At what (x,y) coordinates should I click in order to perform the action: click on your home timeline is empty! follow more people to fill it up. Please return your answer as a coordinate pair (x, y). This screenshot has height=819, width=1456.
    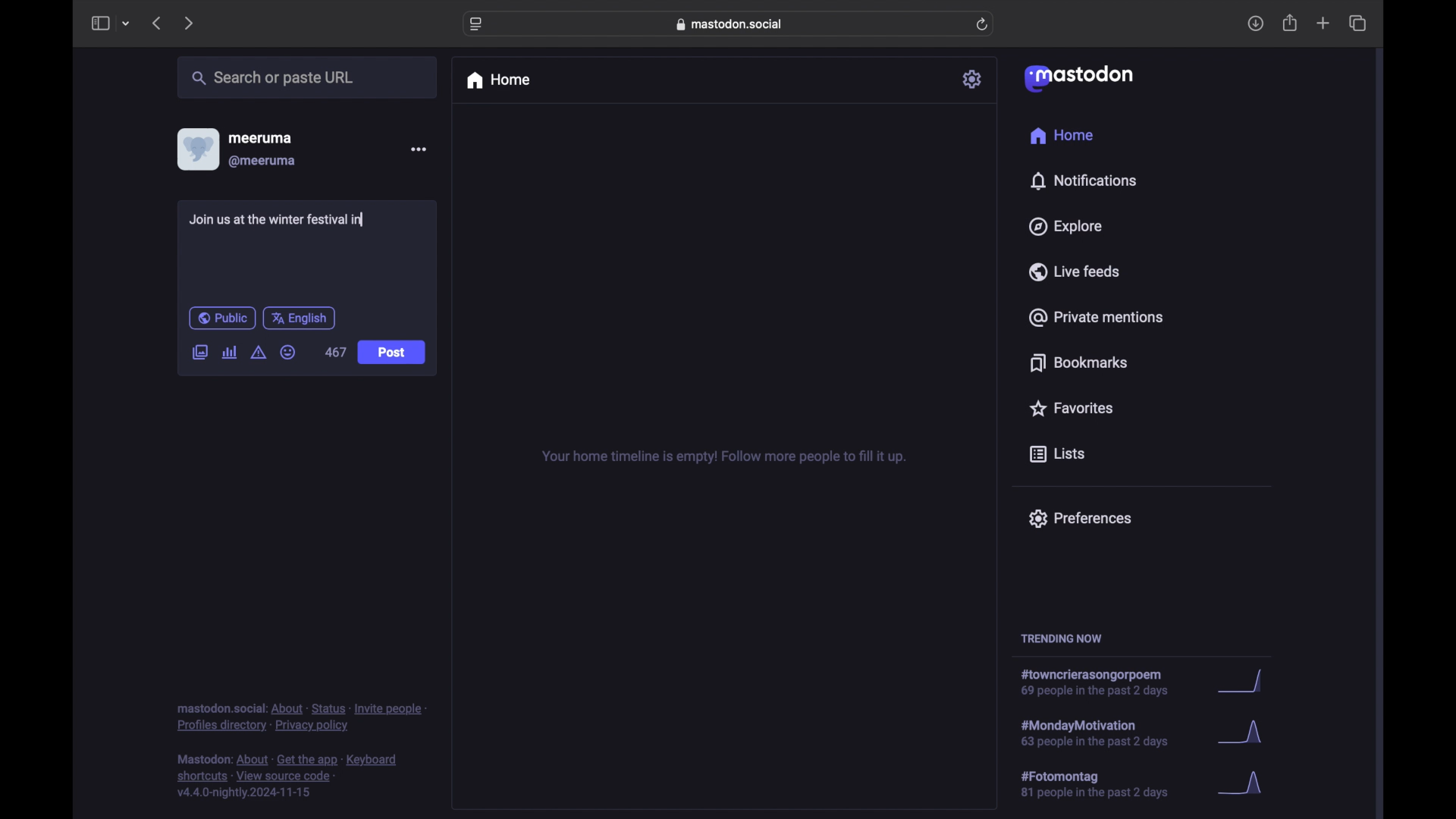
    Looking at the image, I should click on (723, 457).